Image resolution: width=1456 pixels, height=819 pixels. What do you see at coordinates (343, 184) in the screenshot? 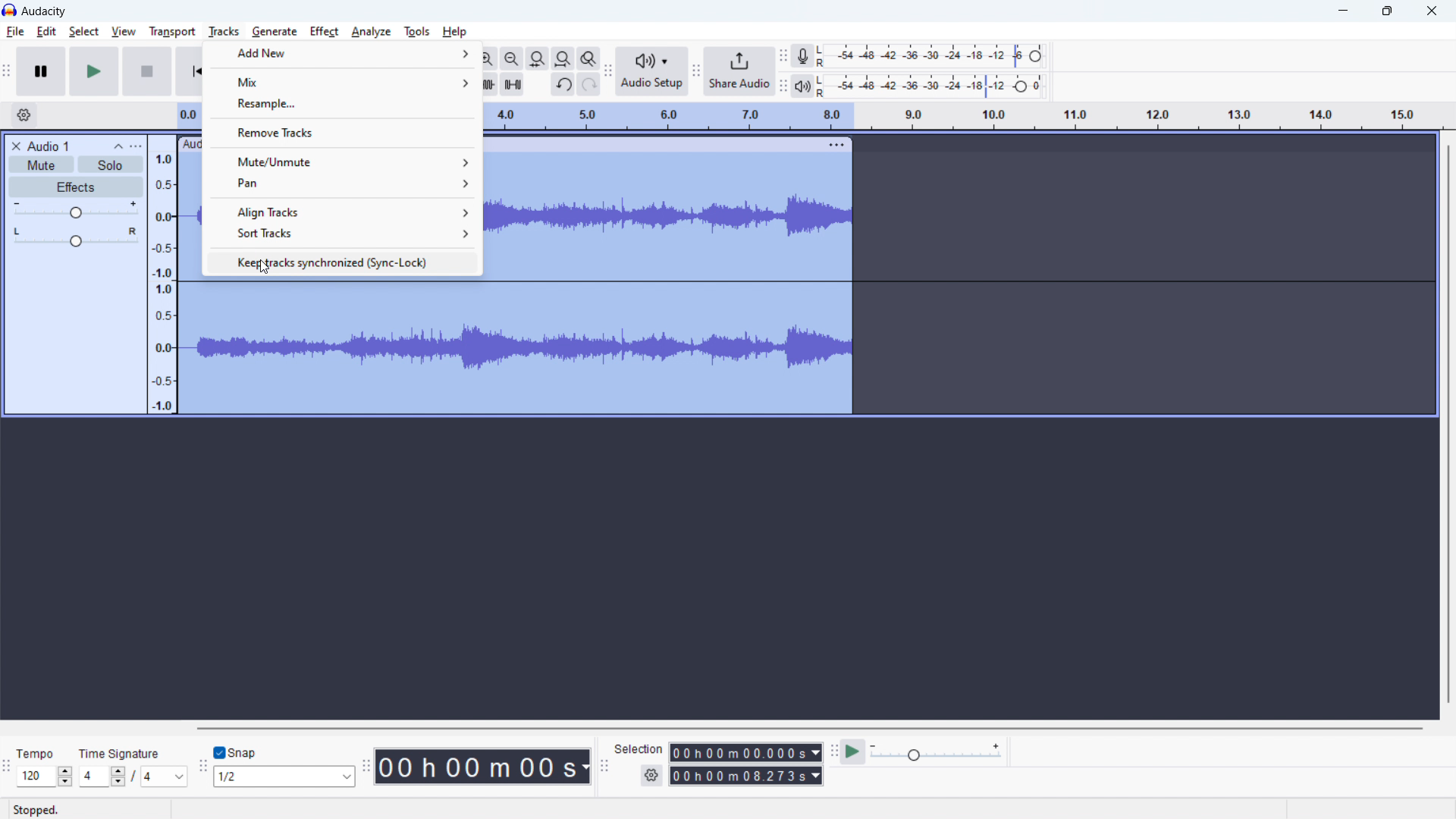
I see `pan` at bounding box center [343, 184].